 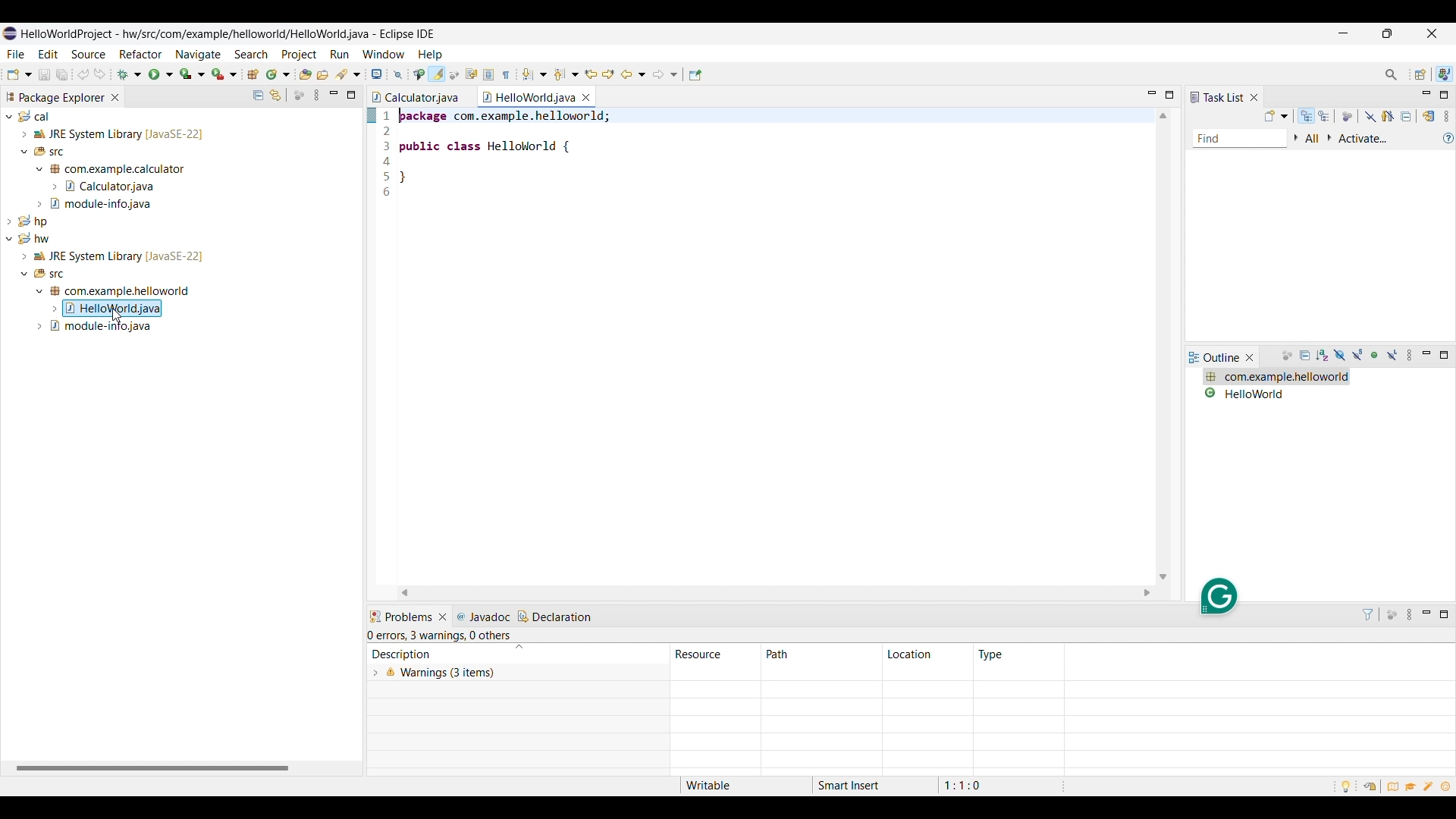 What do you see at coordinates (348, 74) in the screenshot?
I see `Search options` at bounding box center [348, 74].